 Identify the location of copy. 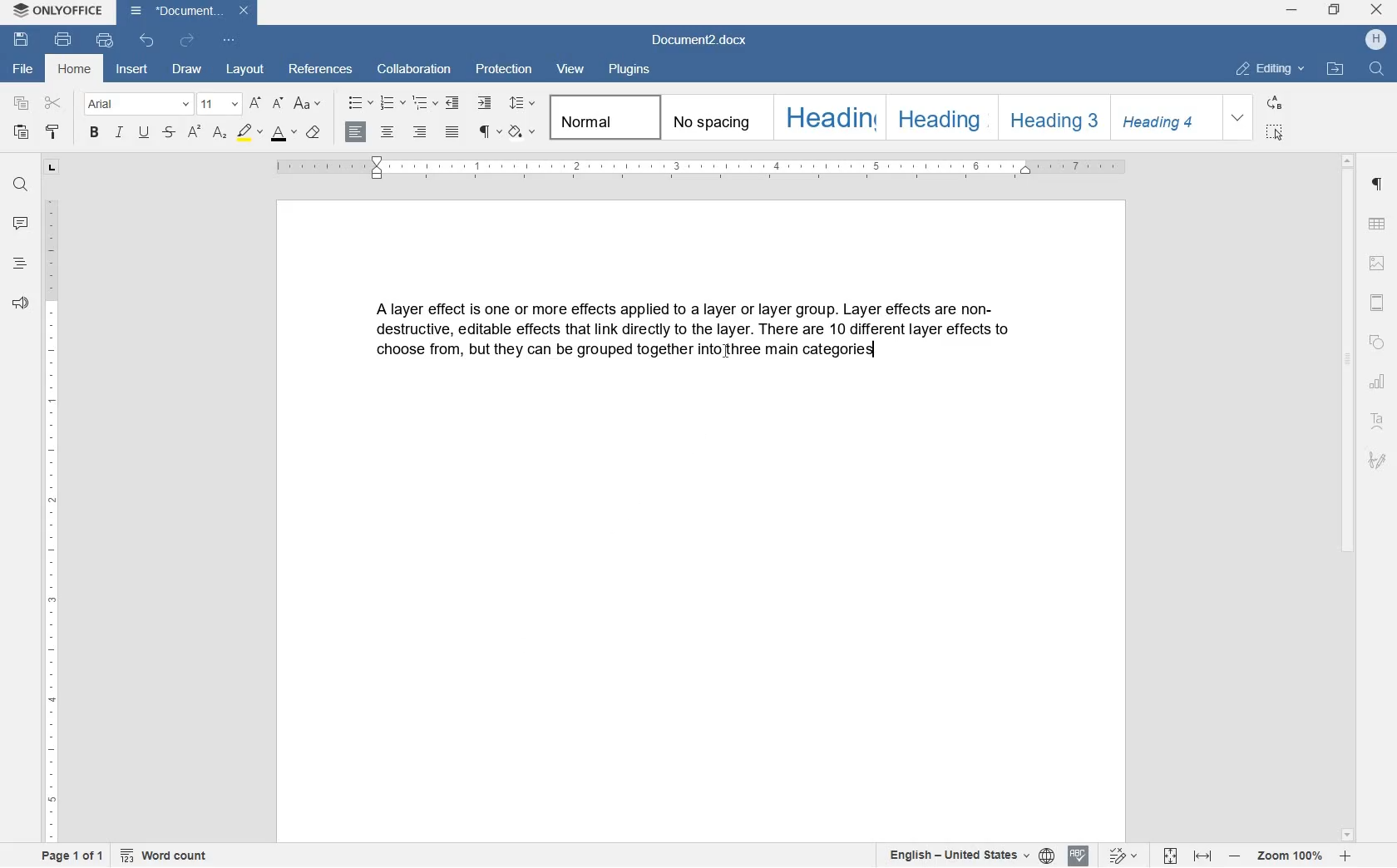
(21, 104).